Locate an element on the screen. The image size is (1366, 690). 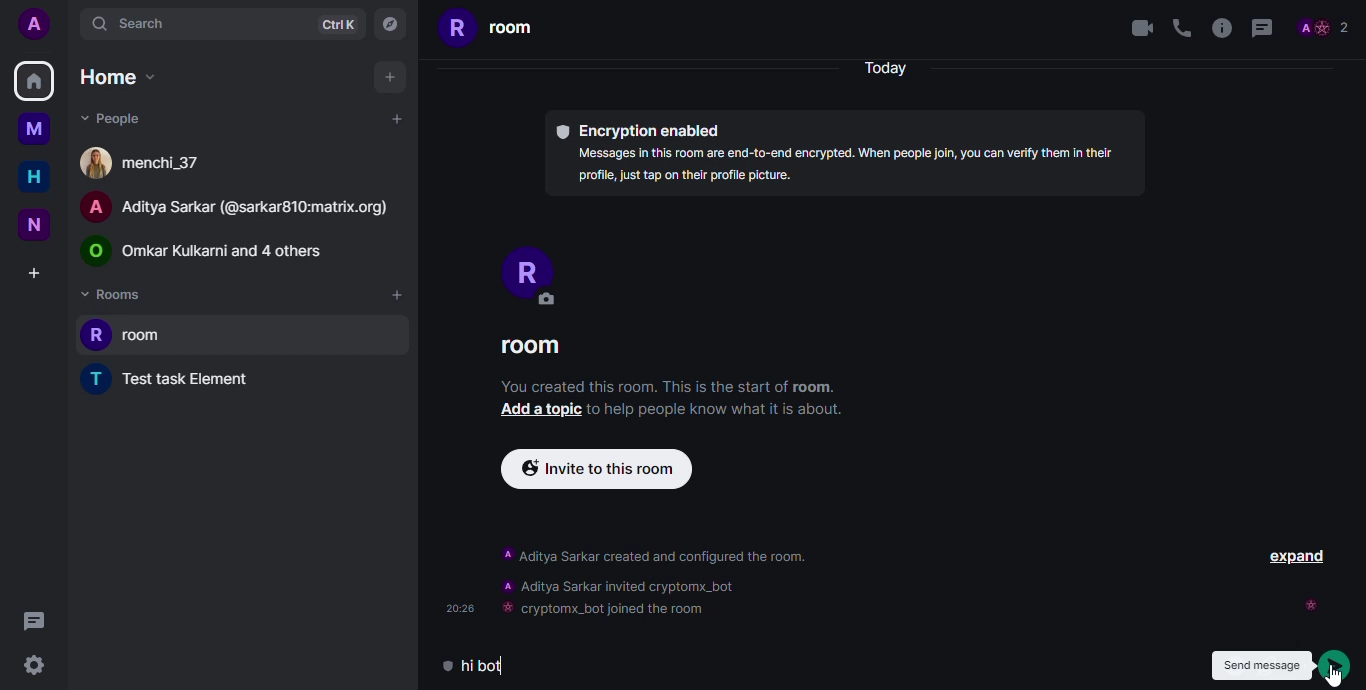
home is located at coordinates (119, 76).